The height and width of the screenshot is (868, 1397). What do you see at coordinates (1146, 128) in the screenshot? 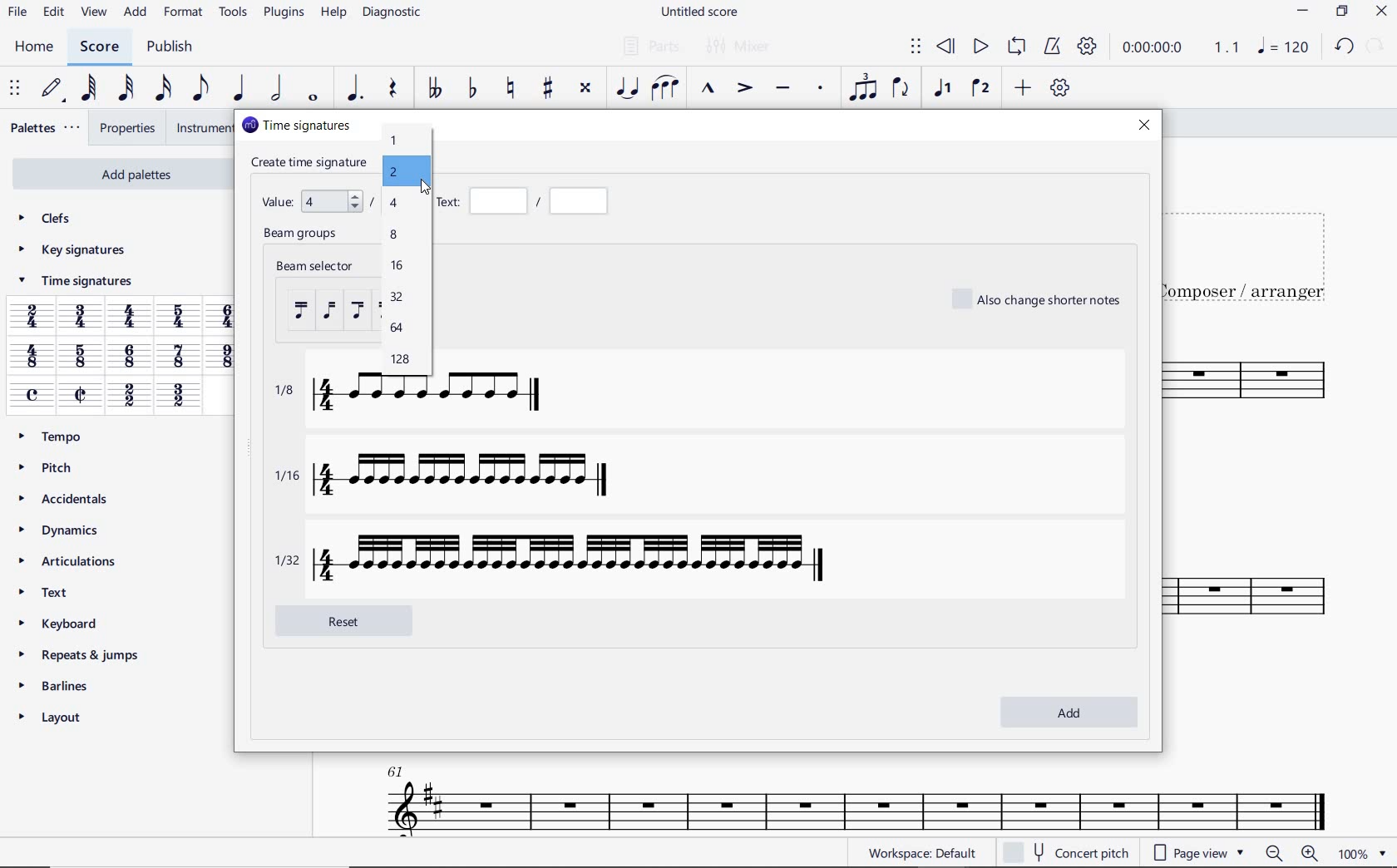
I see `close` at bounding box center [1146, 128].